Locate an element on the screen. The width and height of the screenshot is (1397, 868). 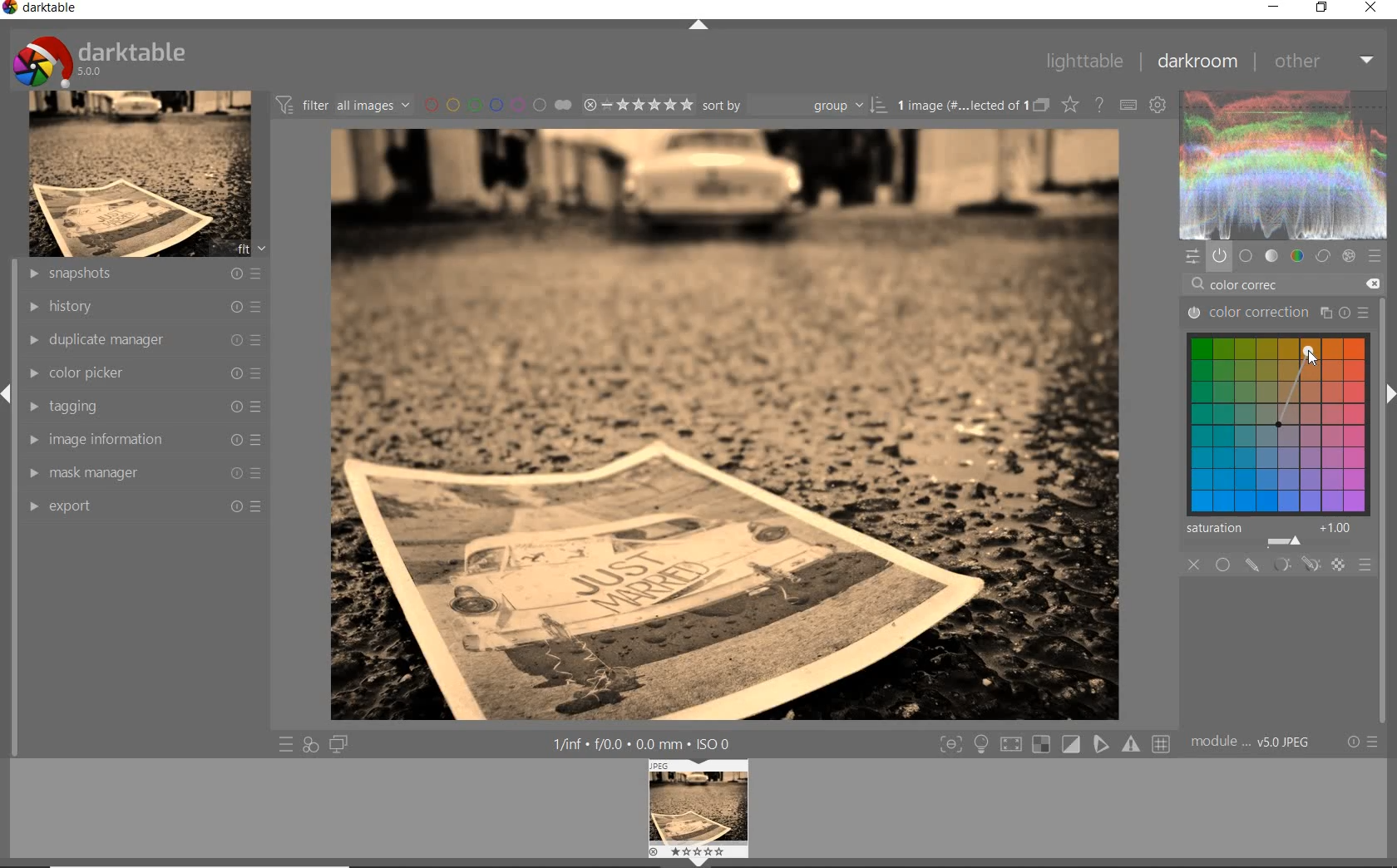
snapshots is located at coordinates (142, 275).